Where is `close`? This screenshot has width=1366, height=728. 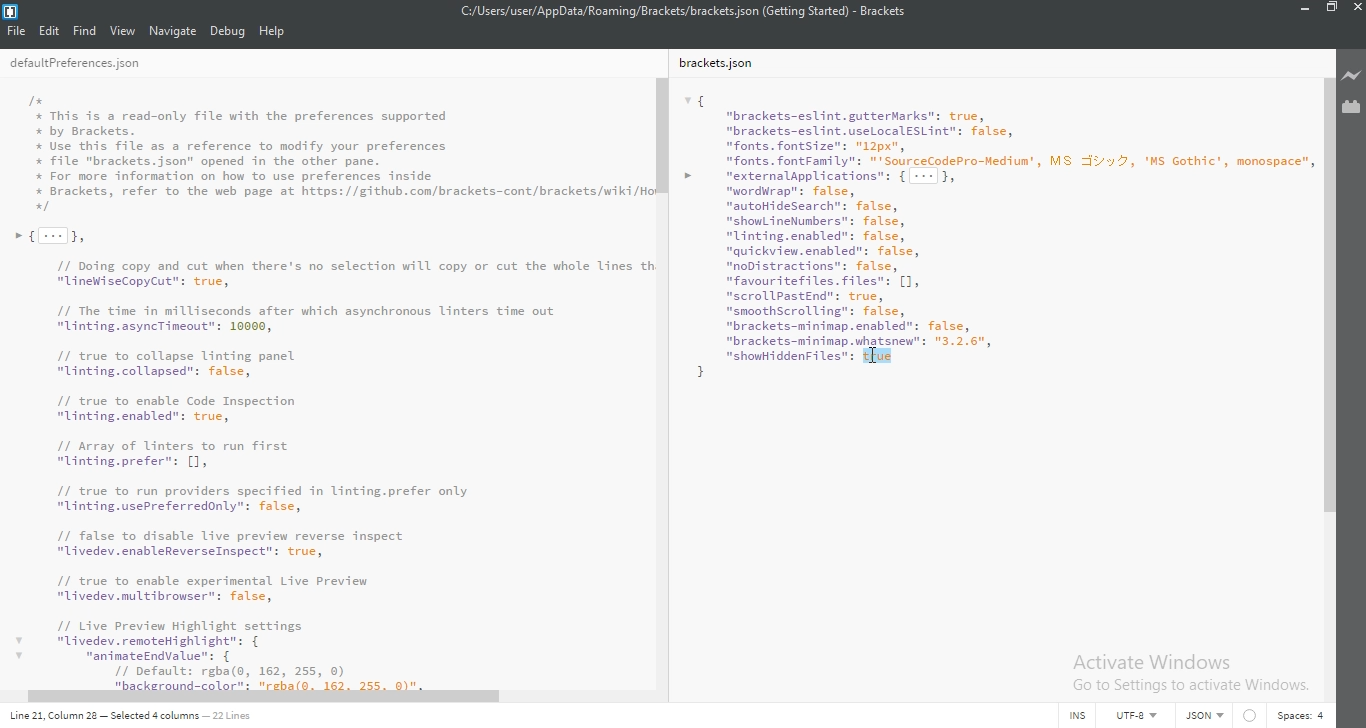 close is located at coordinates (1357, 8).